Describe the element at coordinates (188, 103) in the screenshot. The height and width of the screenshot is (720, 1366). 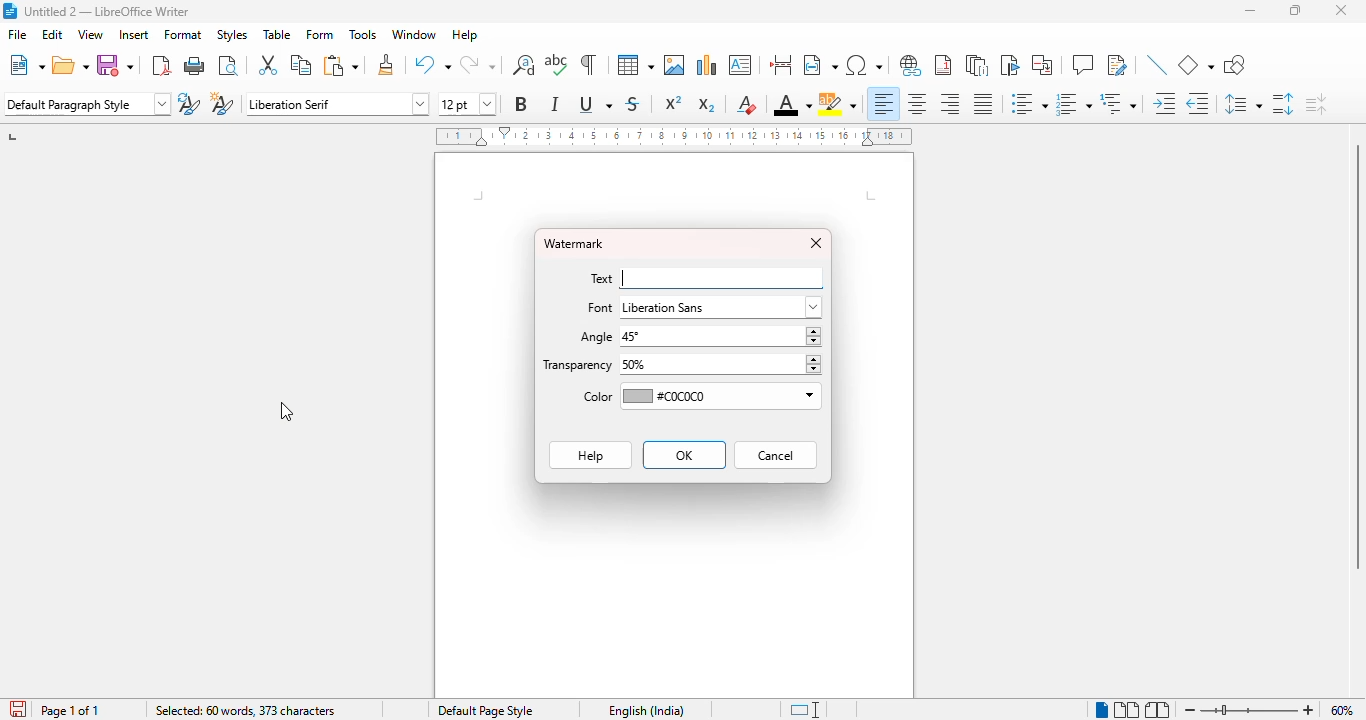
I see `update selected style` at that location.